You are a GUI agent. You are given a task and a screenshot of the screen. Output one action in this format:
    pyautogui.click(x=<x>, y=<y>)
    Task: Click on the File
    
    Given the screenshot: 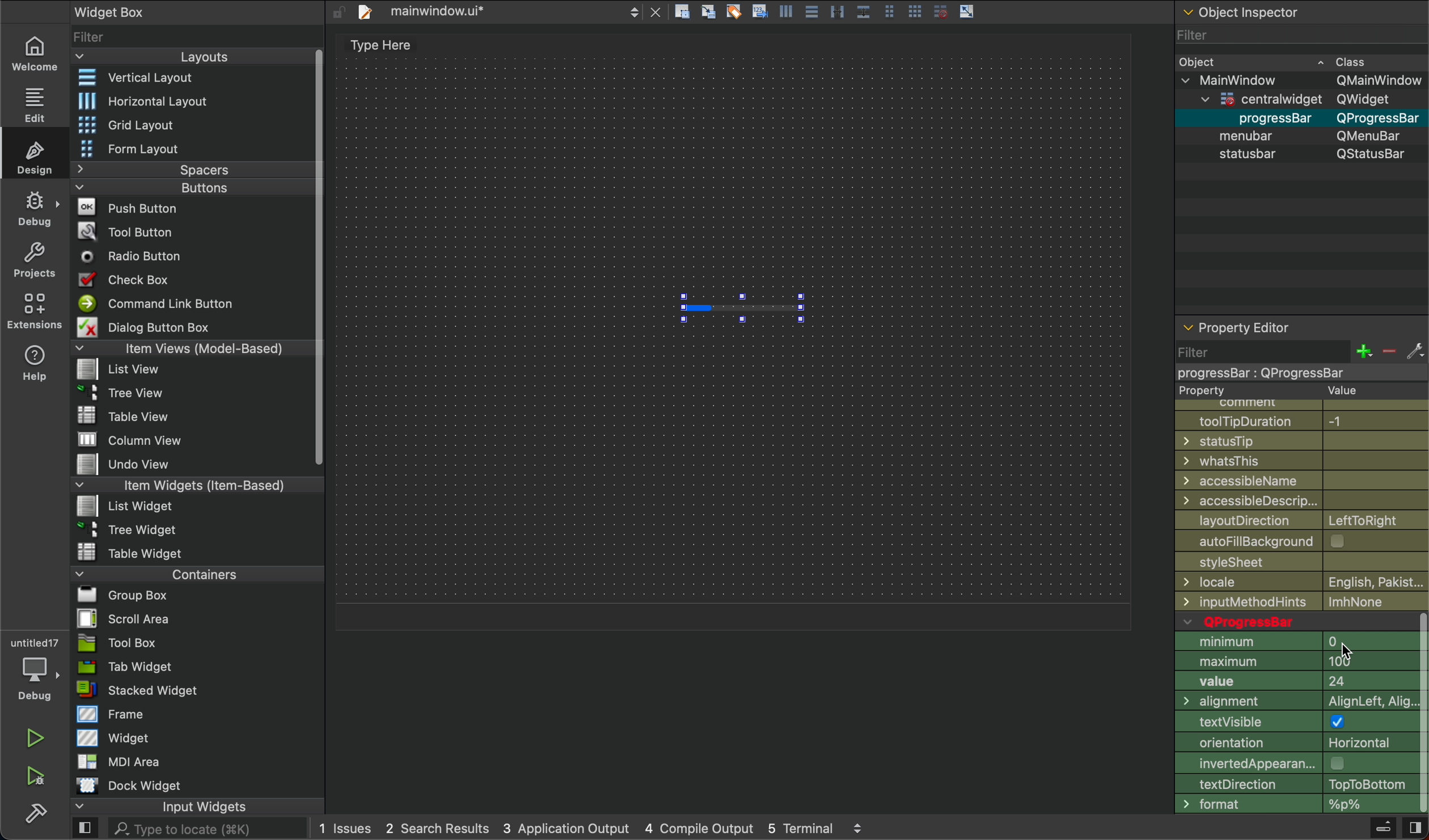 What is the action you would take?
    pyautogui.click(x=123, y=370)
    